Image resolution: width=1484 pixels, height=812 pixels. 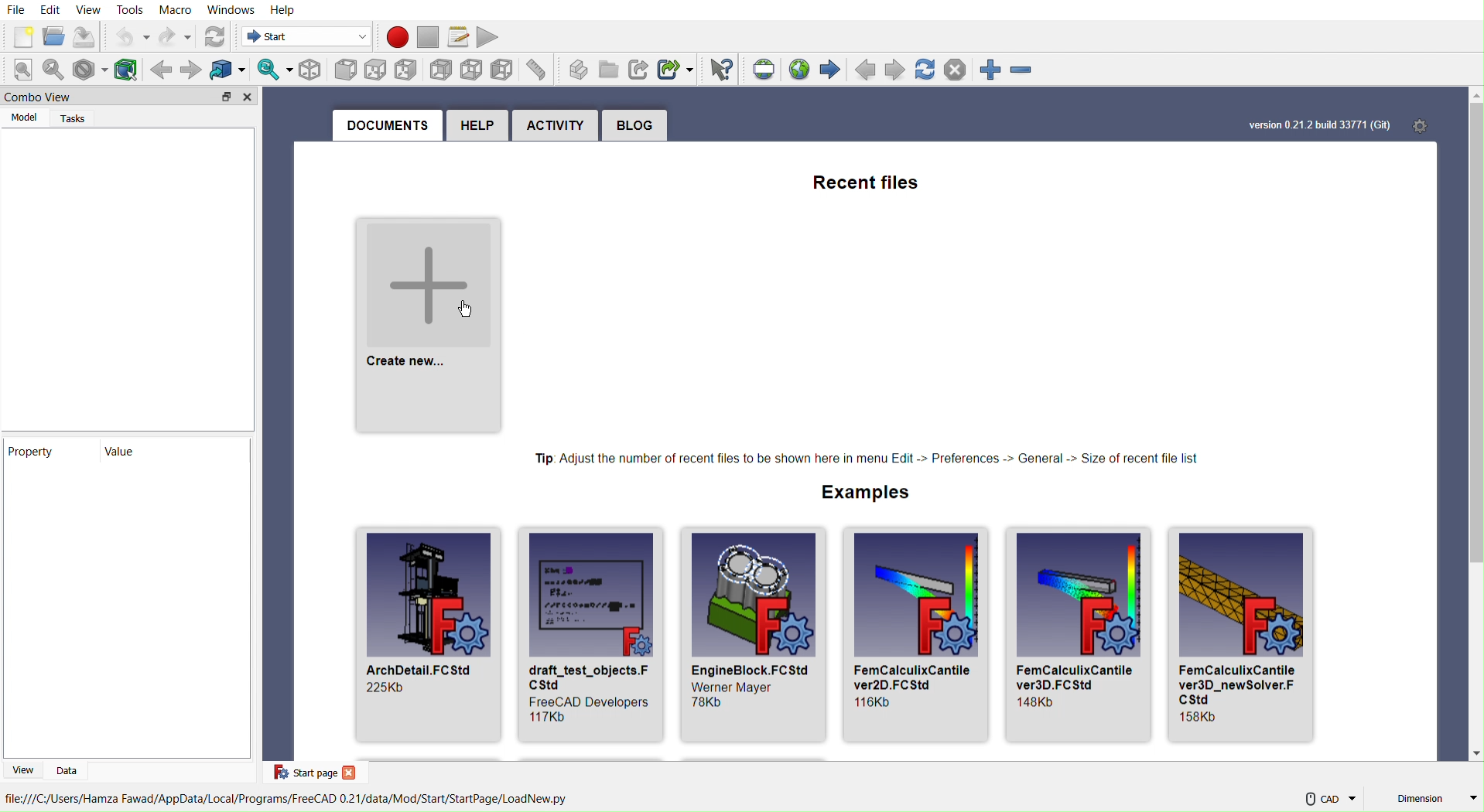 What do you see at coordinates (18, 9) in the screenshot?
I see `File` at bounding box center [18, 9].